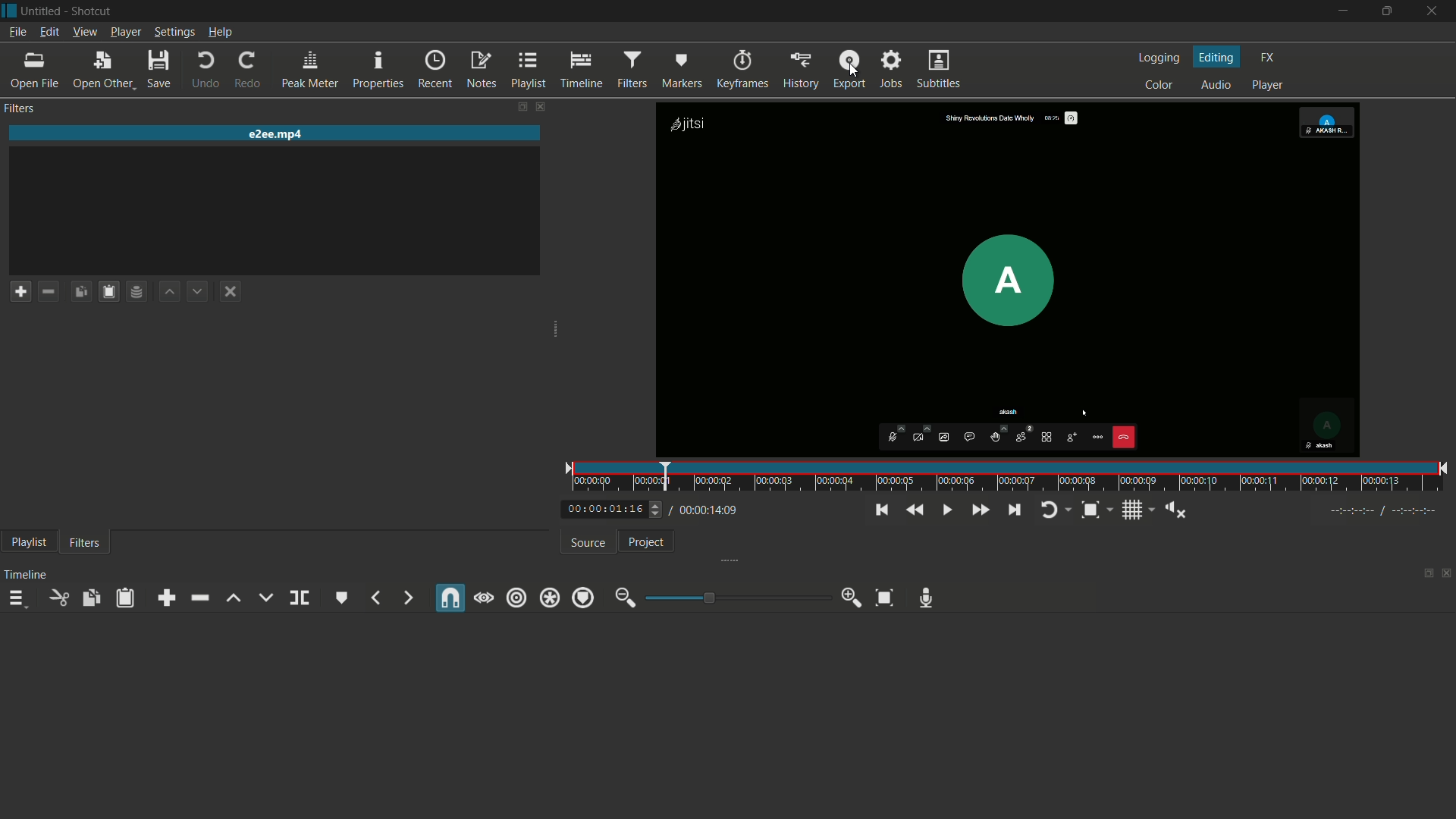 The image size is (1456, 819). Describe the element at coordinates (29, 573) in the screenshot. I see `Timeline` at that location.